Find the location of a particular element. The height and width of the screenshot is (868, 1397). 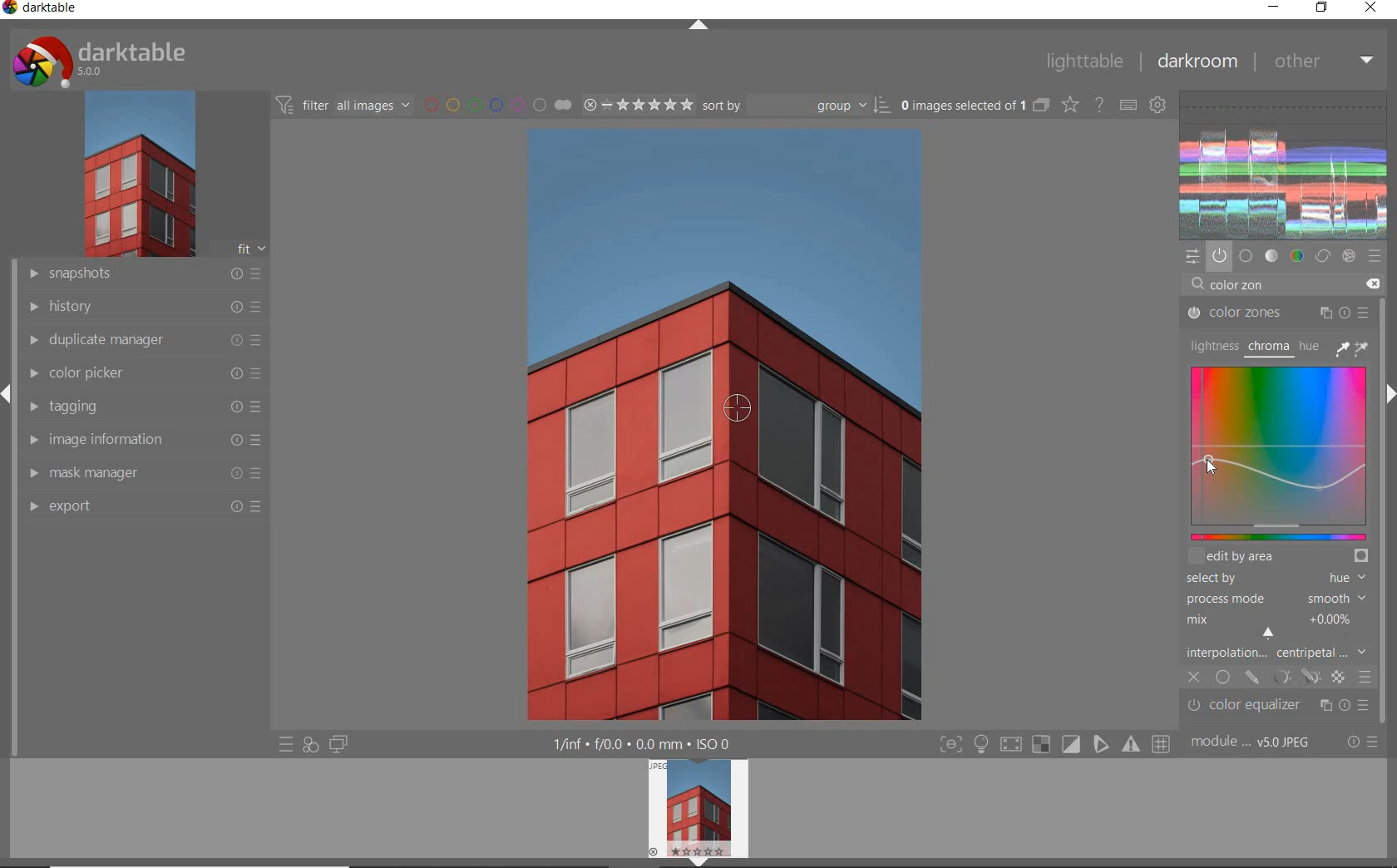

MASK OPTIONS is located at coordinates (1294, 677).